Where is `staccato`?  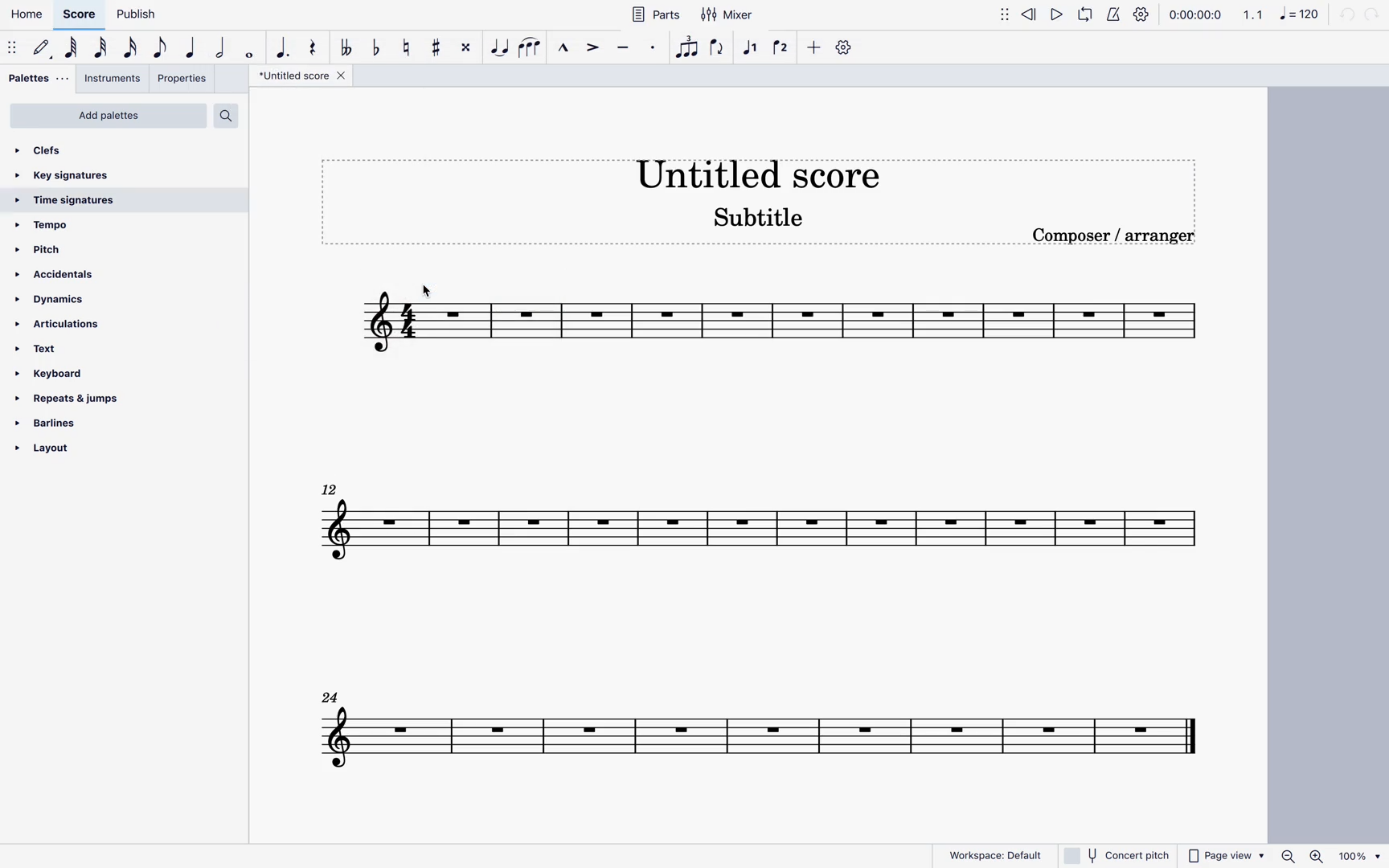
staccato is located at coordinates (649, 51).